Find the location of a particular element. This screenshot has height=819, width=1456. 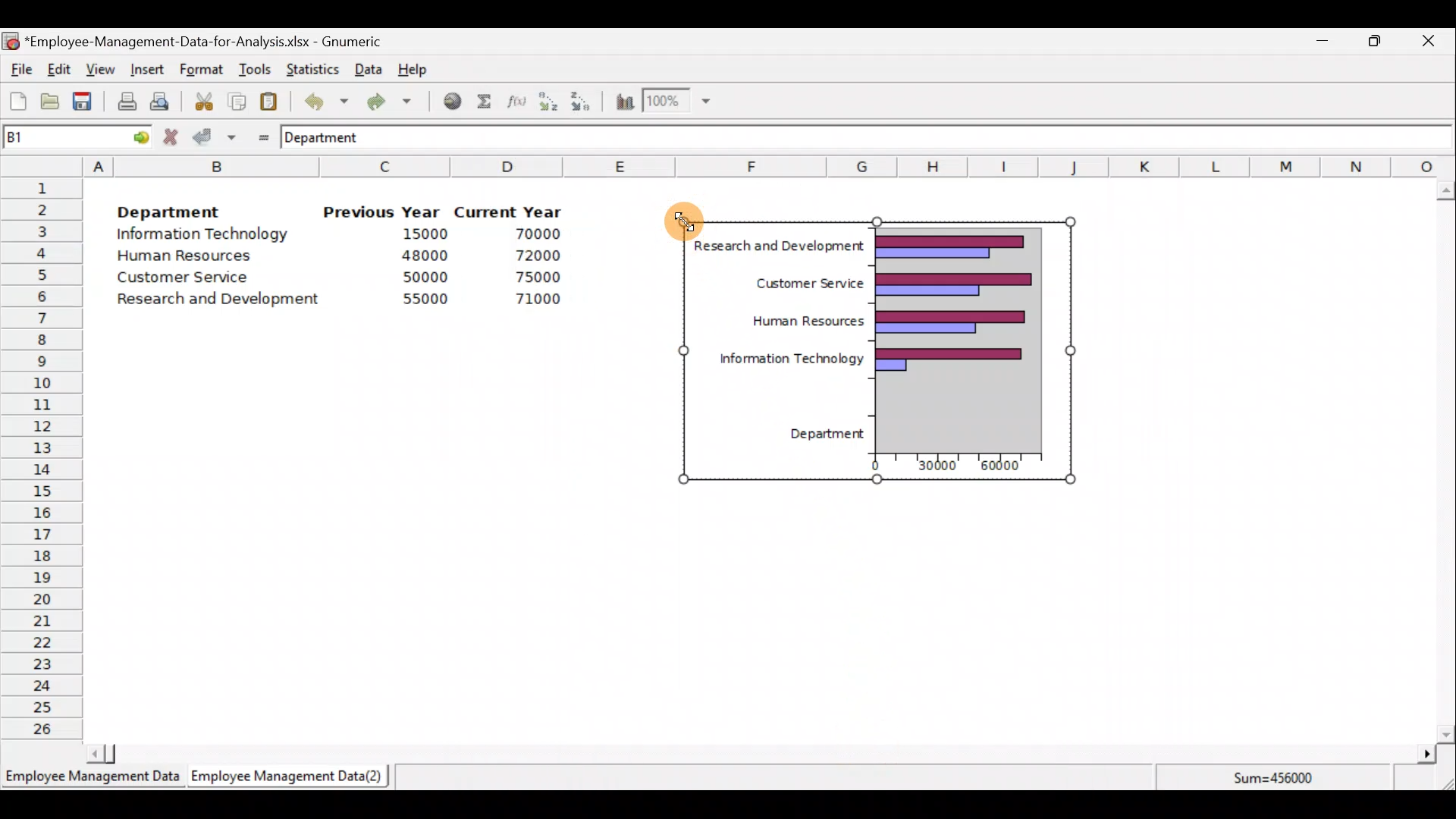

Save the current workbook is located at coordinates (87, 104).